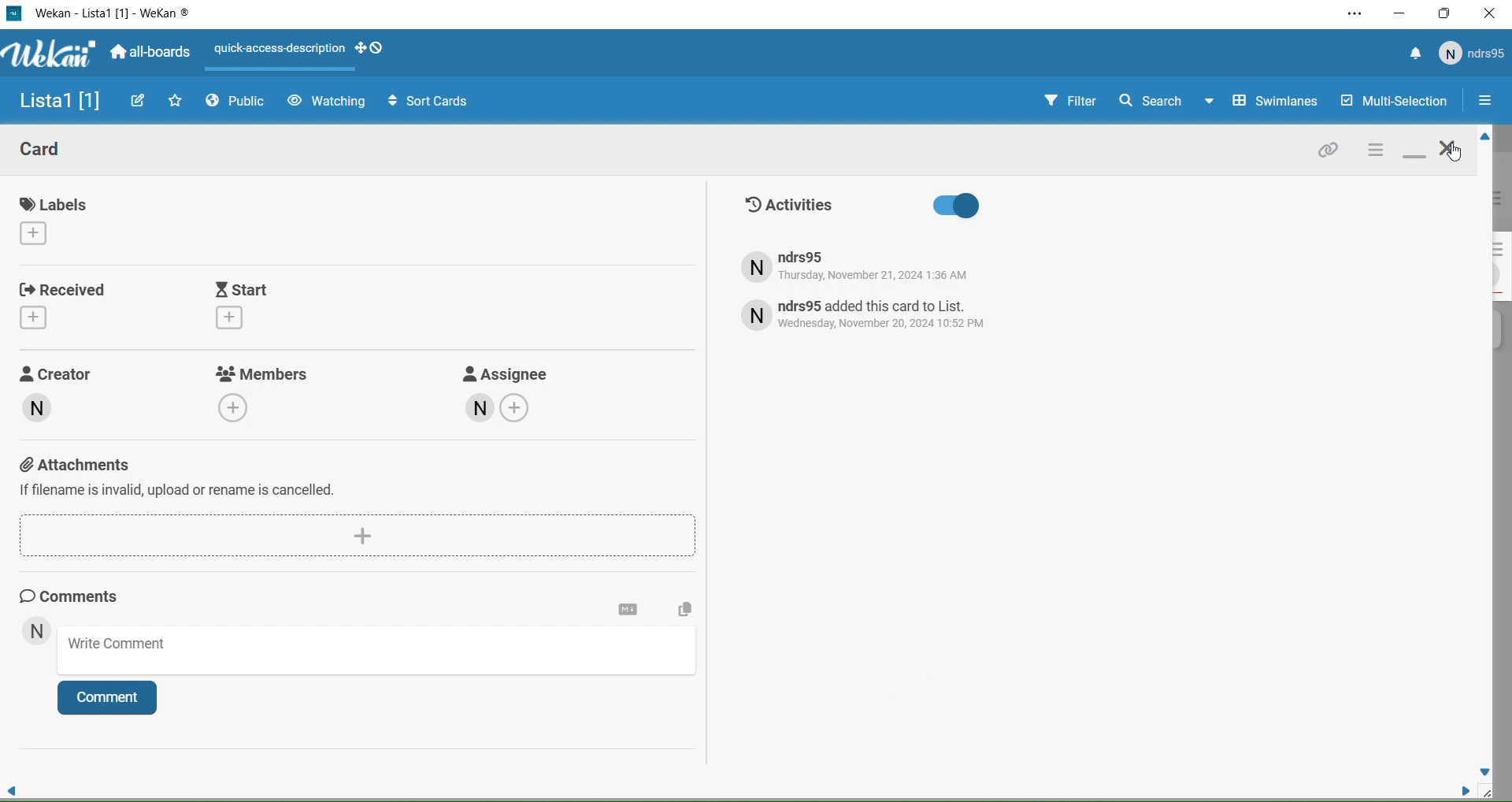 This screenshot has height=802, width=1512. I want to click on user, so click(616, 543).